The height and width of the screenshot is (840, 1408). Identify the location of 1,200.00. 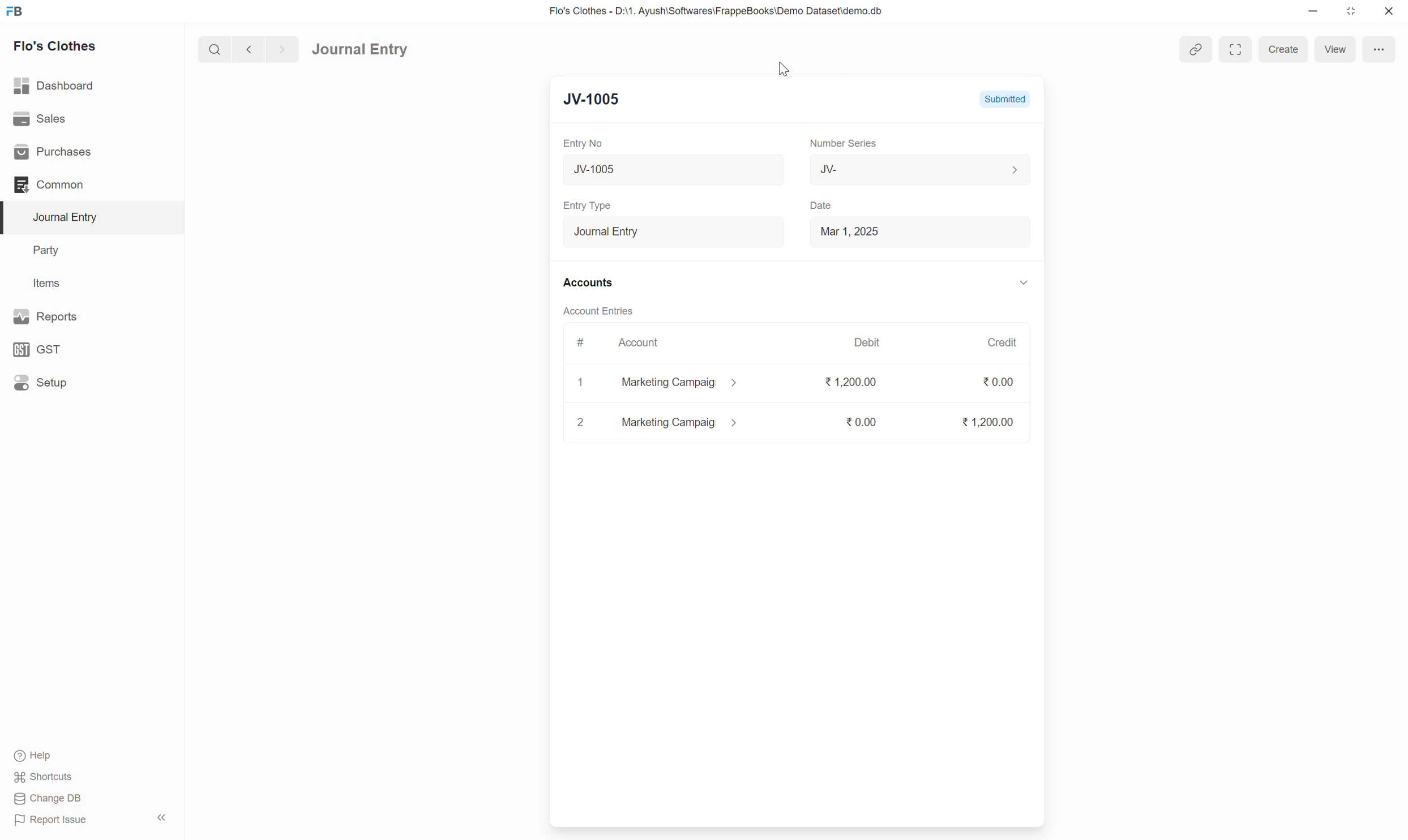
(987, 422).